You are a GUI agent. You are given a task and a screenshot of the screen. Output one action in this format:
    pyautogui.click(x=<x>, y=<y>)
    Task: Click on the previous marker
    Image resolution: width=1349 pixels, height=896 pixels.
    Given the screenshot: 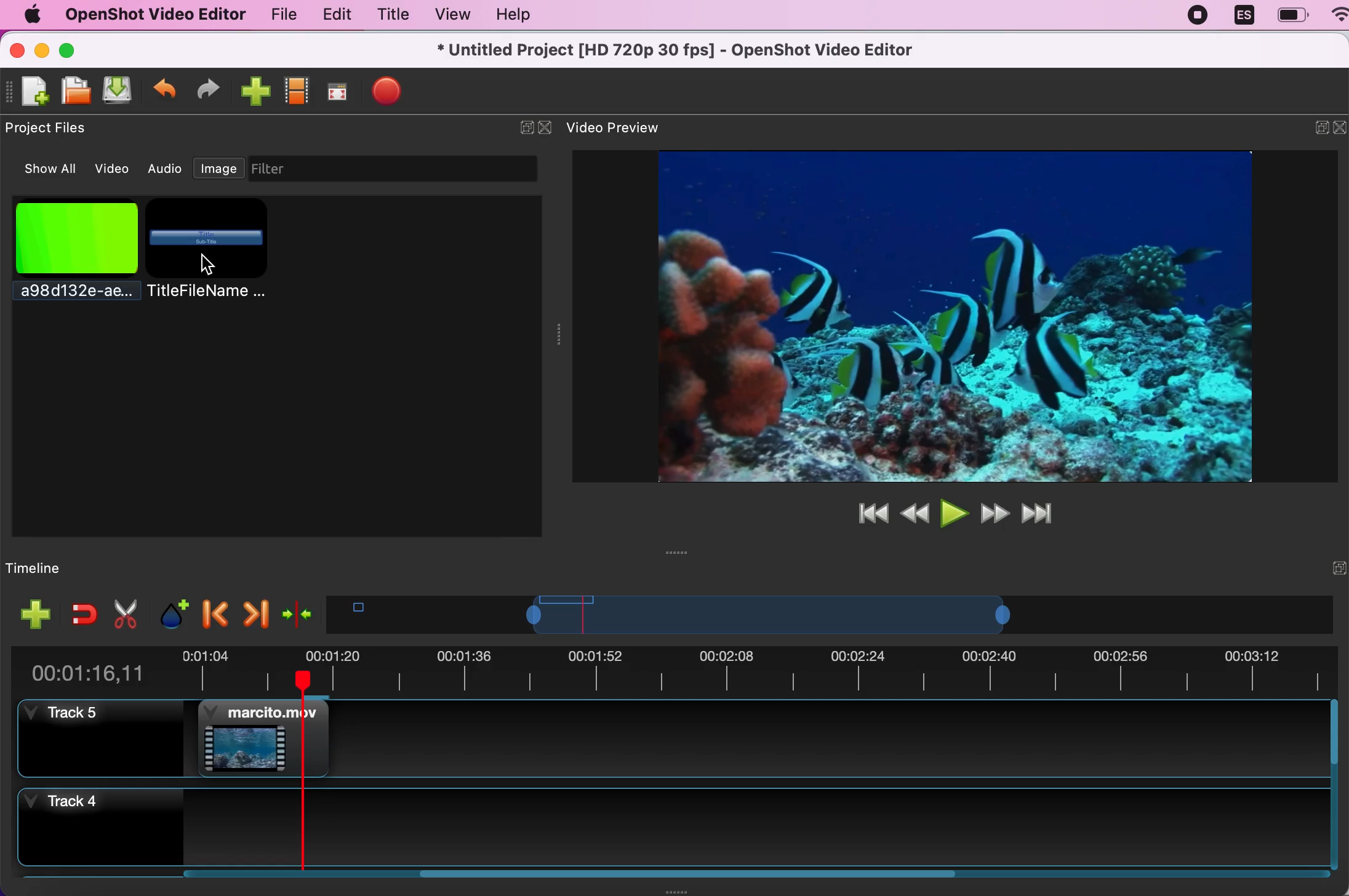 What is the action you would take?
    pyautogui.click(x=212, y=612)
    